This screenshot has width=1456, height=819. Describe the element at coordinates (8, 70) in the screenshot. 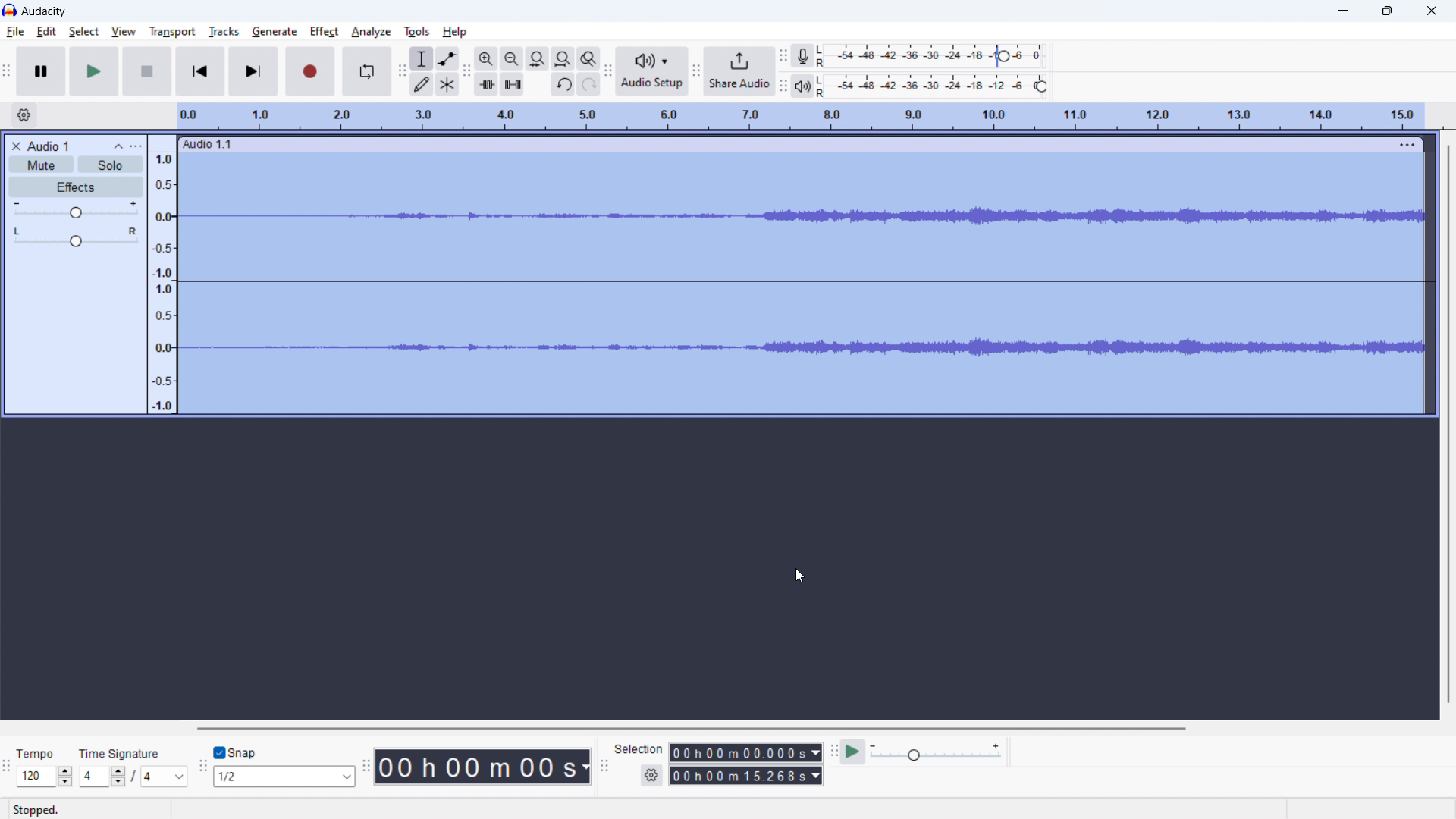

I see `transport toolbar` at that location.